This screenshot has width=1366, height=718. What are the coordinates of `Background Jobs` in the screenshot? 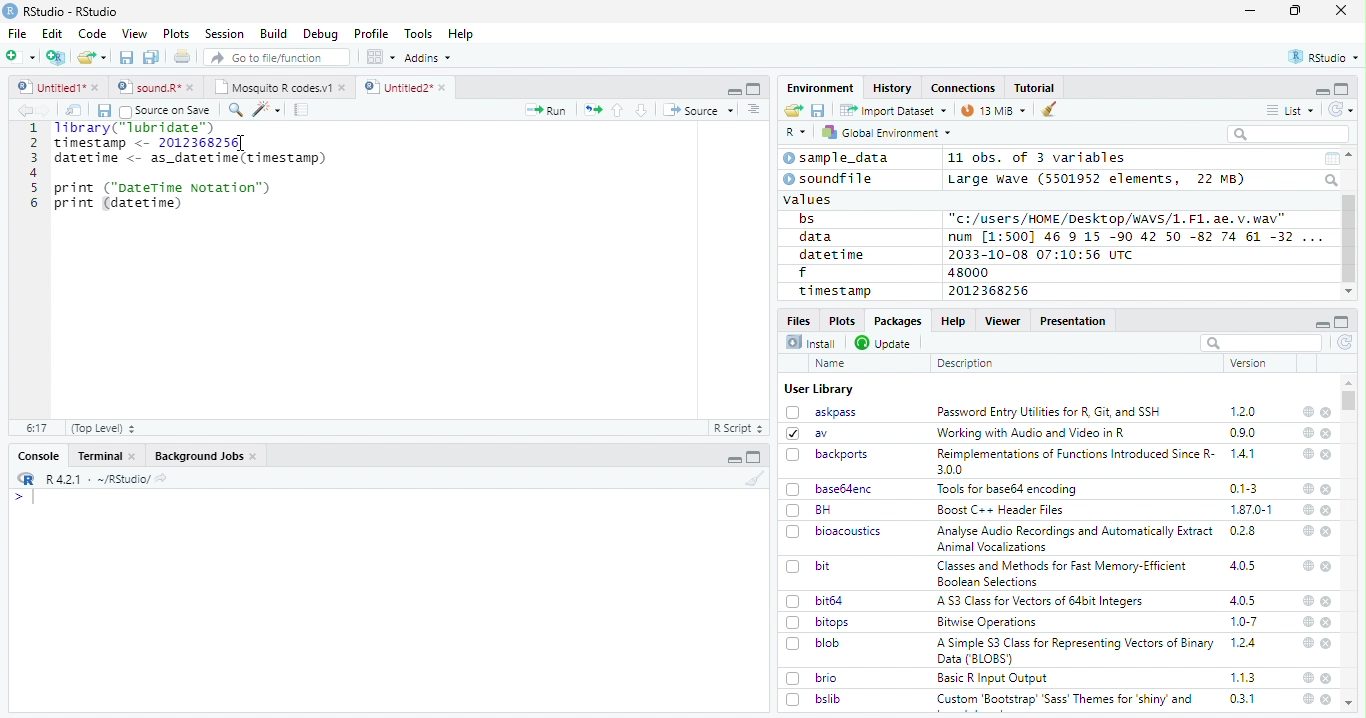 It's located at (206, 456).